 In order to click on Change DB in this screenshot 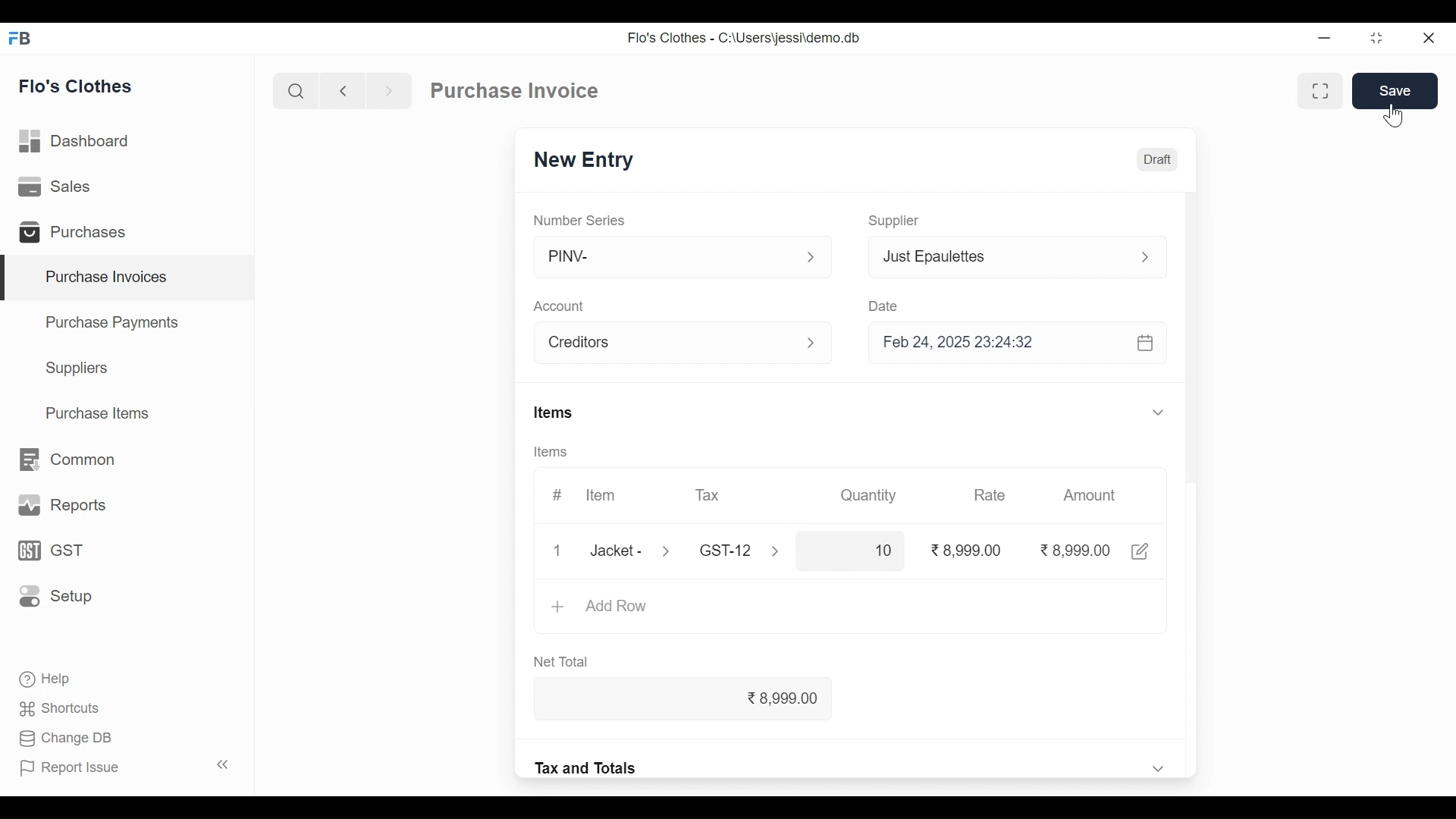, I will do `click(67, 738)`.